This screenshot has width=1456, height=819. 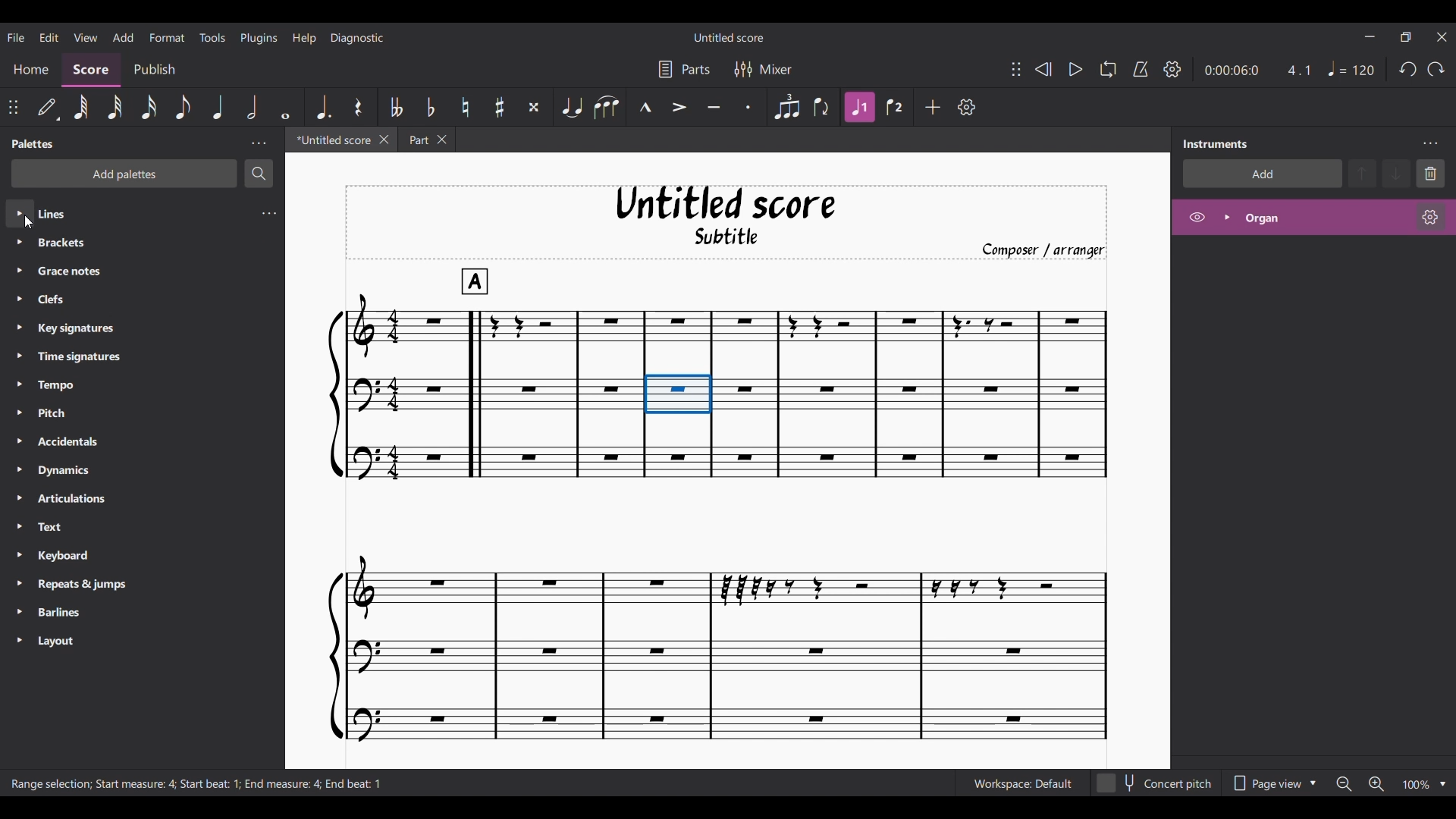 What do you see at coordinates (1352, 69) in the screenshot?
I see `Quarter note` at bounding box center [1352, 69].